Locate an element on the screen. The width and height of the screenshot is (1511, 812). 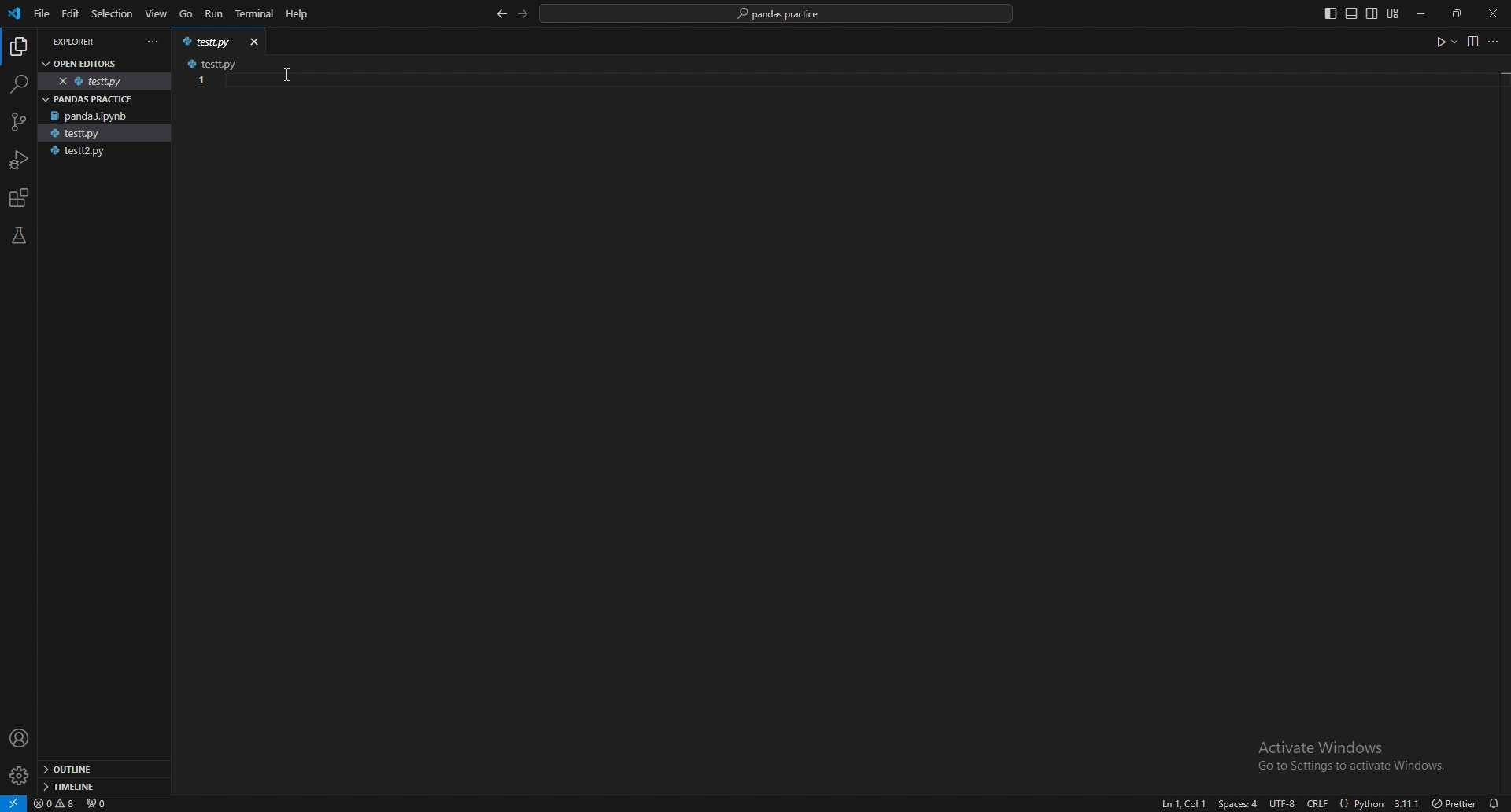
open editors is located at coordinates (99, 62).